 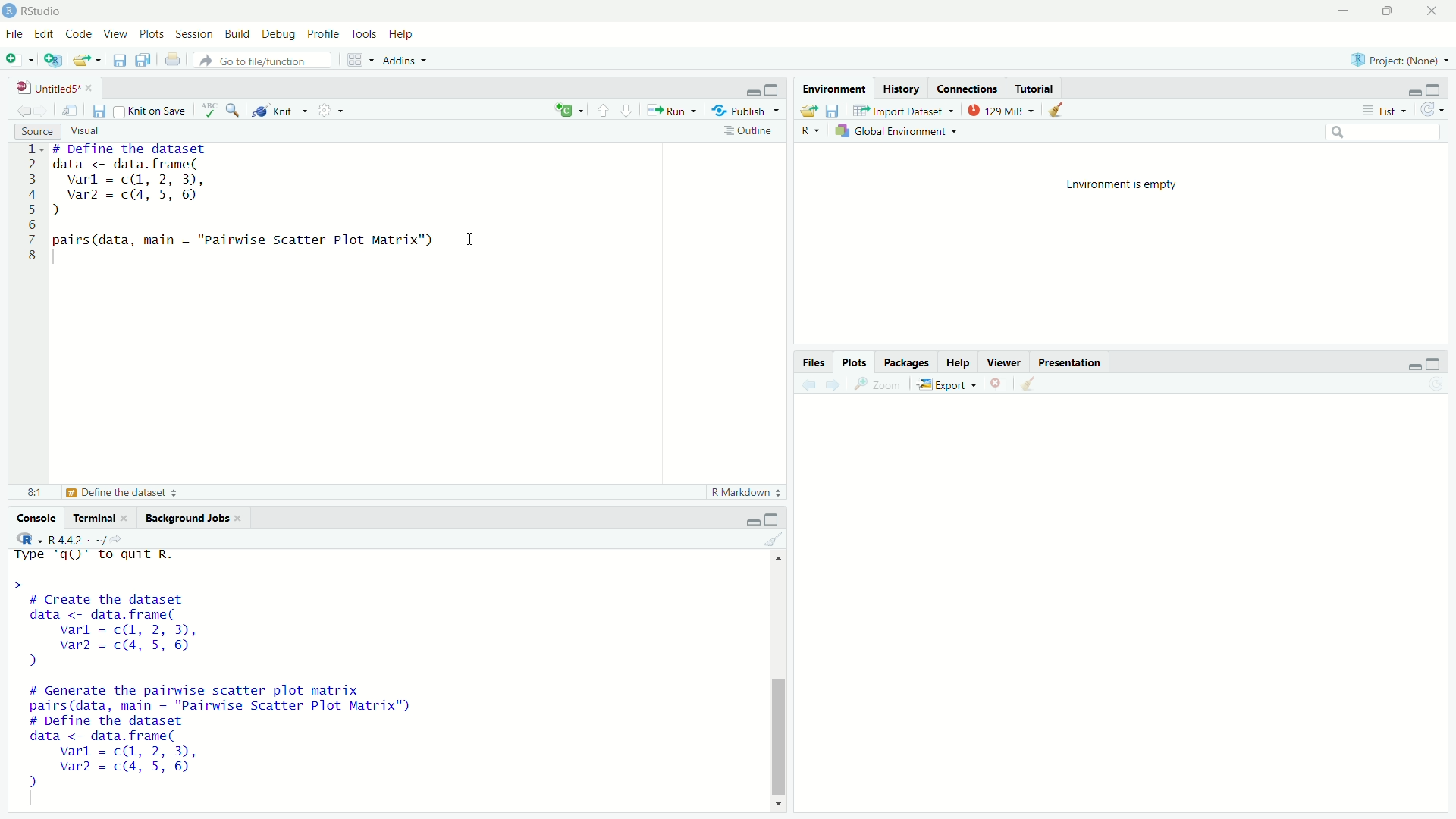 What do you see at coordinates (604, 110) in the screenshot?
I see `Go to previous section/chunk (Ctrl + PgUp)` at bounding box center [604, 110].